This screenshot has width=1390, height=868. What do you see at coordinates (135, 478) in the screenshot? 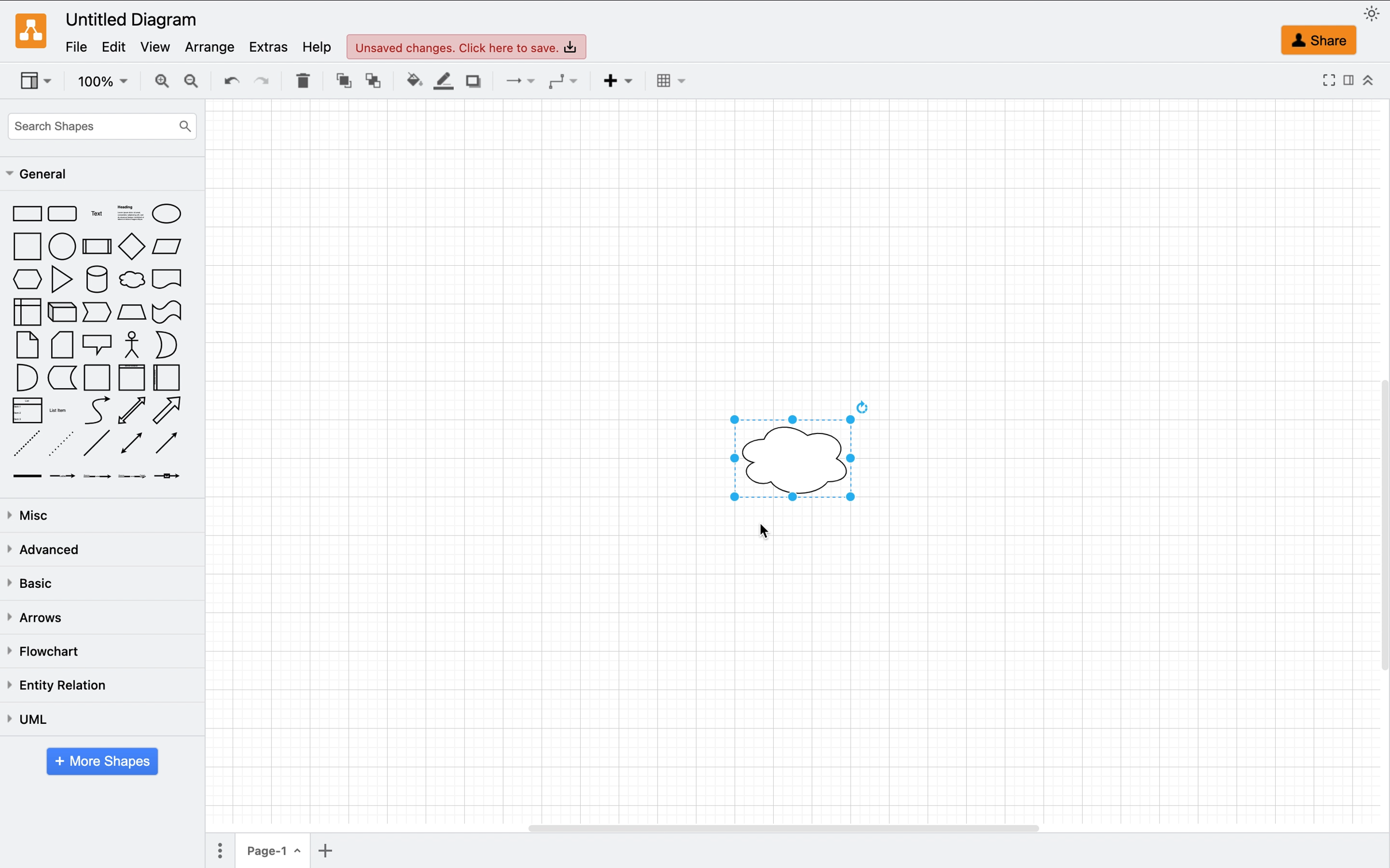
I see `connector with three labels` at bounding box center [135, 478].